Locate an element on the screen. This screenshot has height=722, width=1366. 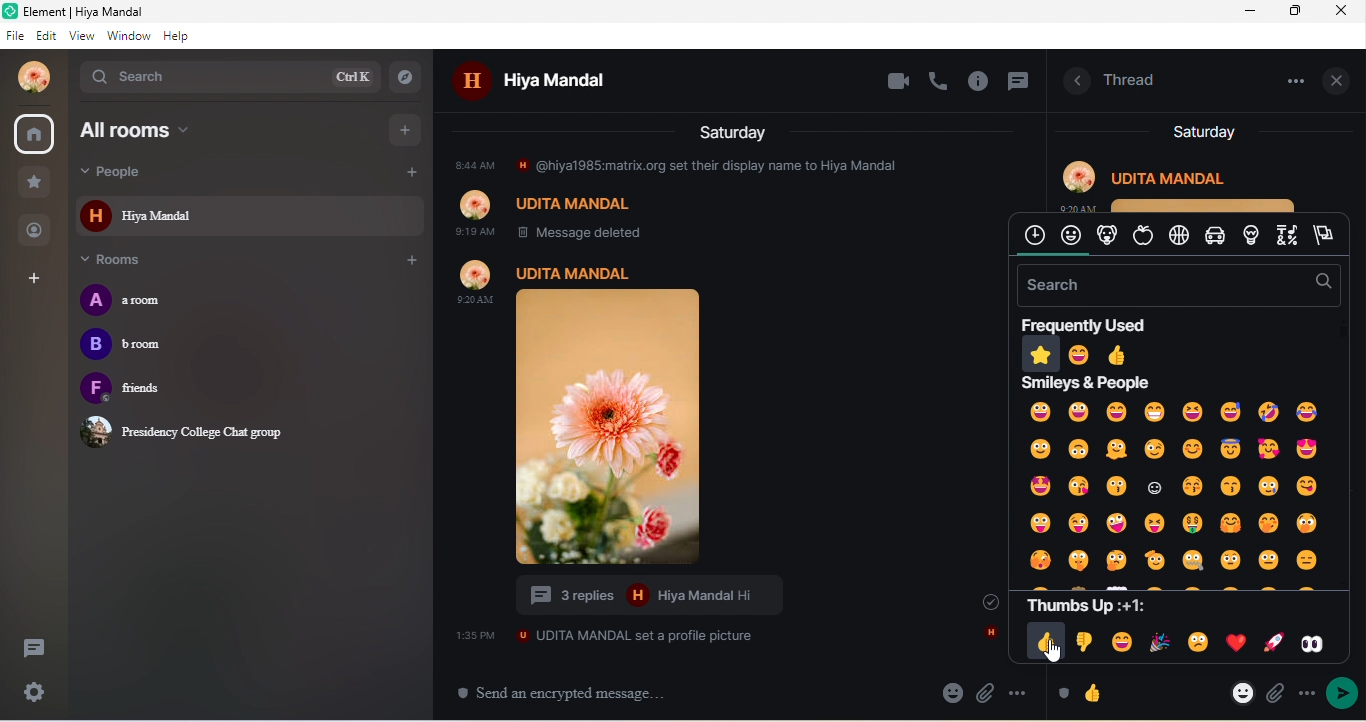
search is located at coordinates (228, 76).